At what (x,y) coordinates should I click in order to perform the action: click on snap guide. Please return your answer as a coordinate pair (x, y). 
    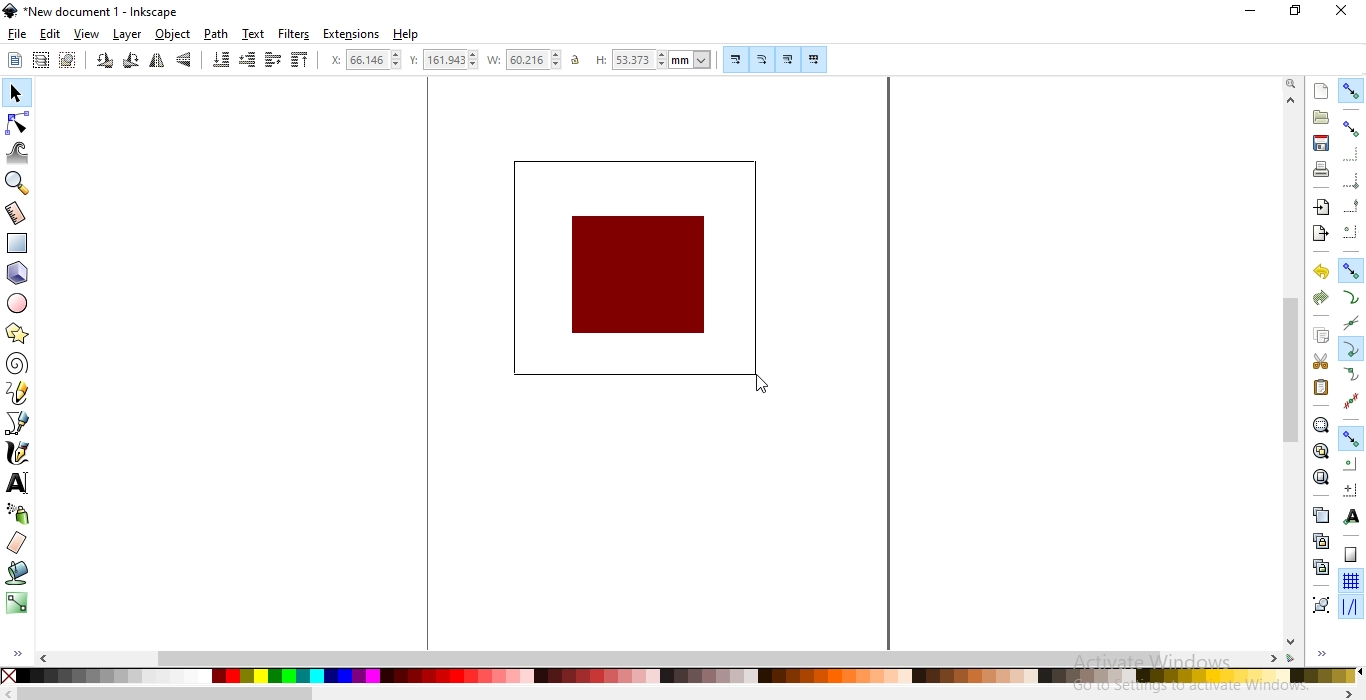
    Looking at the image, I should click on (1351, 607).